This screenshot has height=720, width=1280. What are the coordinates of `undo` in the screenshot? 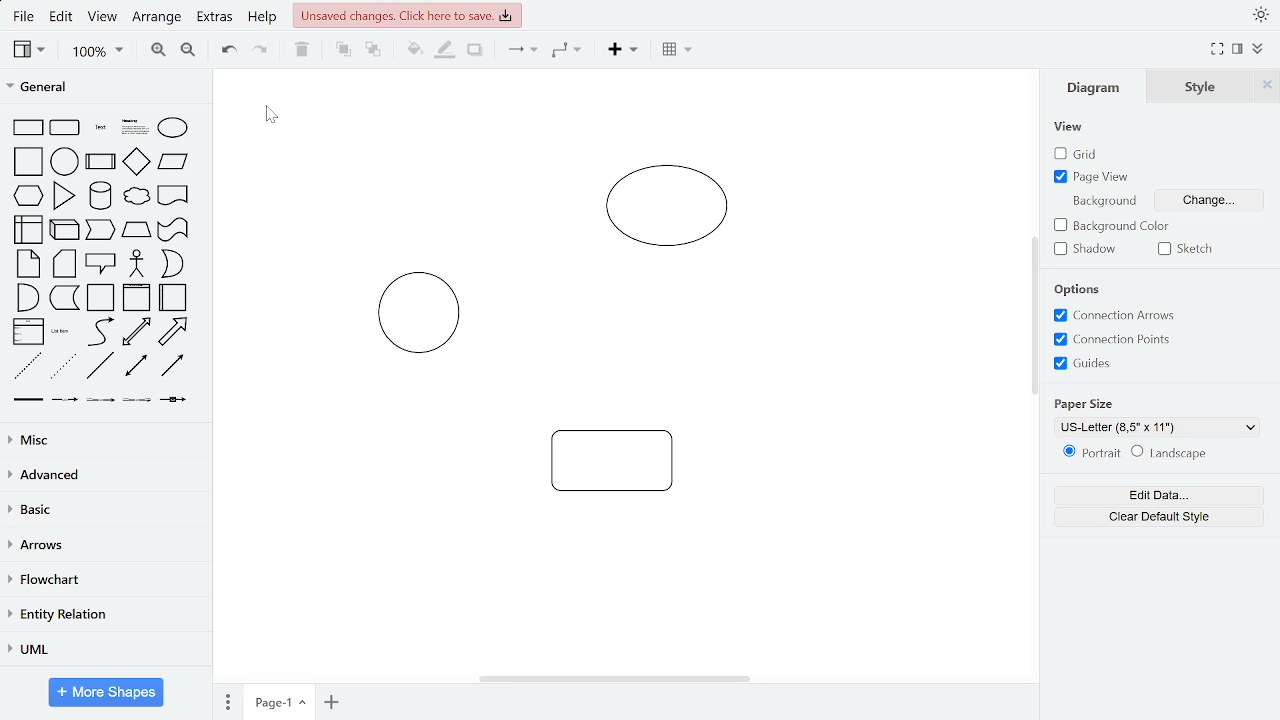 It's located at (230, 51).